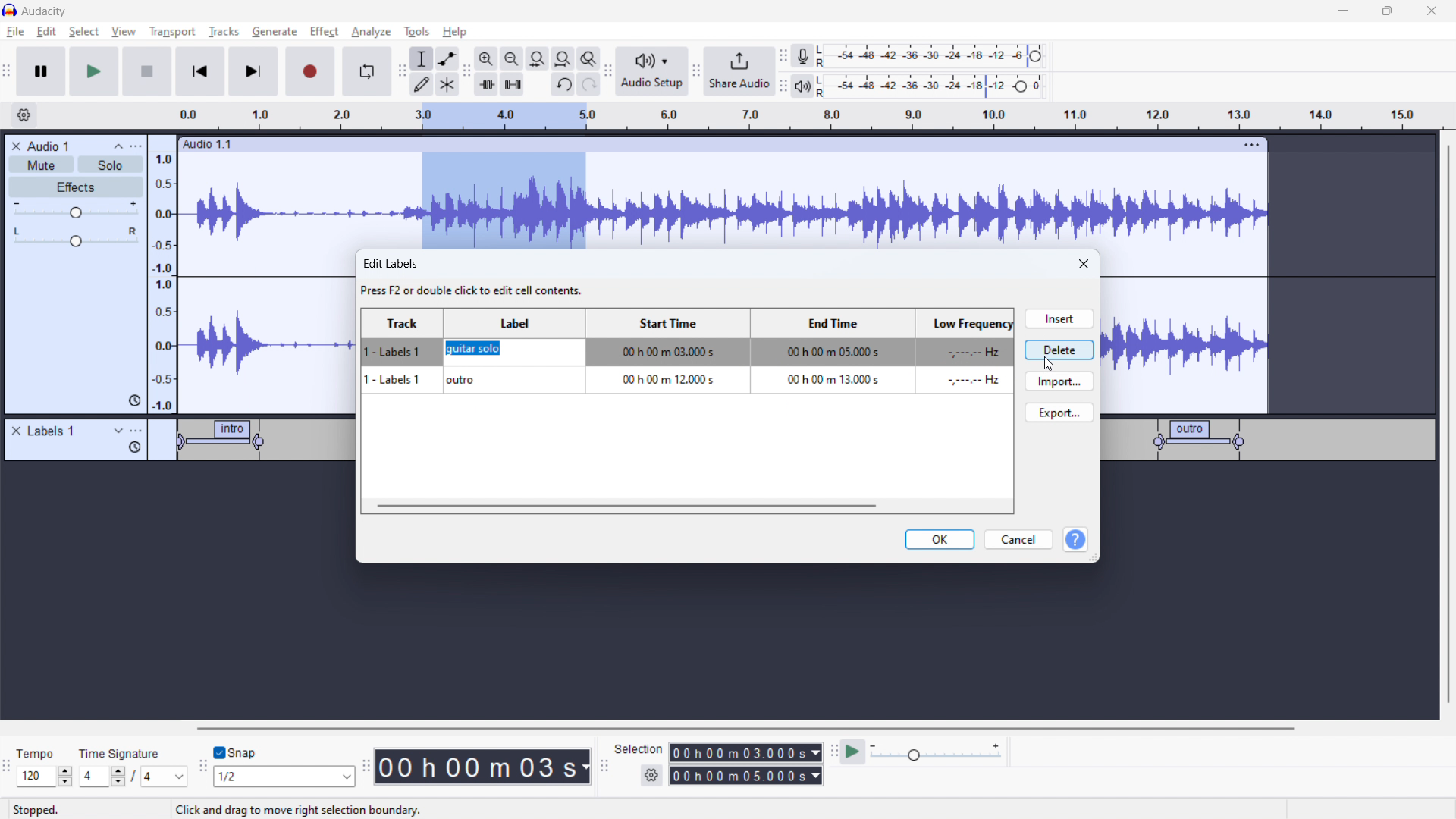 The height and width of the screenshot is (819, 1456). What do you see at coordinates (268, 332) in the screenshot?
I see `audio wave` at bounding box center [268, 332].